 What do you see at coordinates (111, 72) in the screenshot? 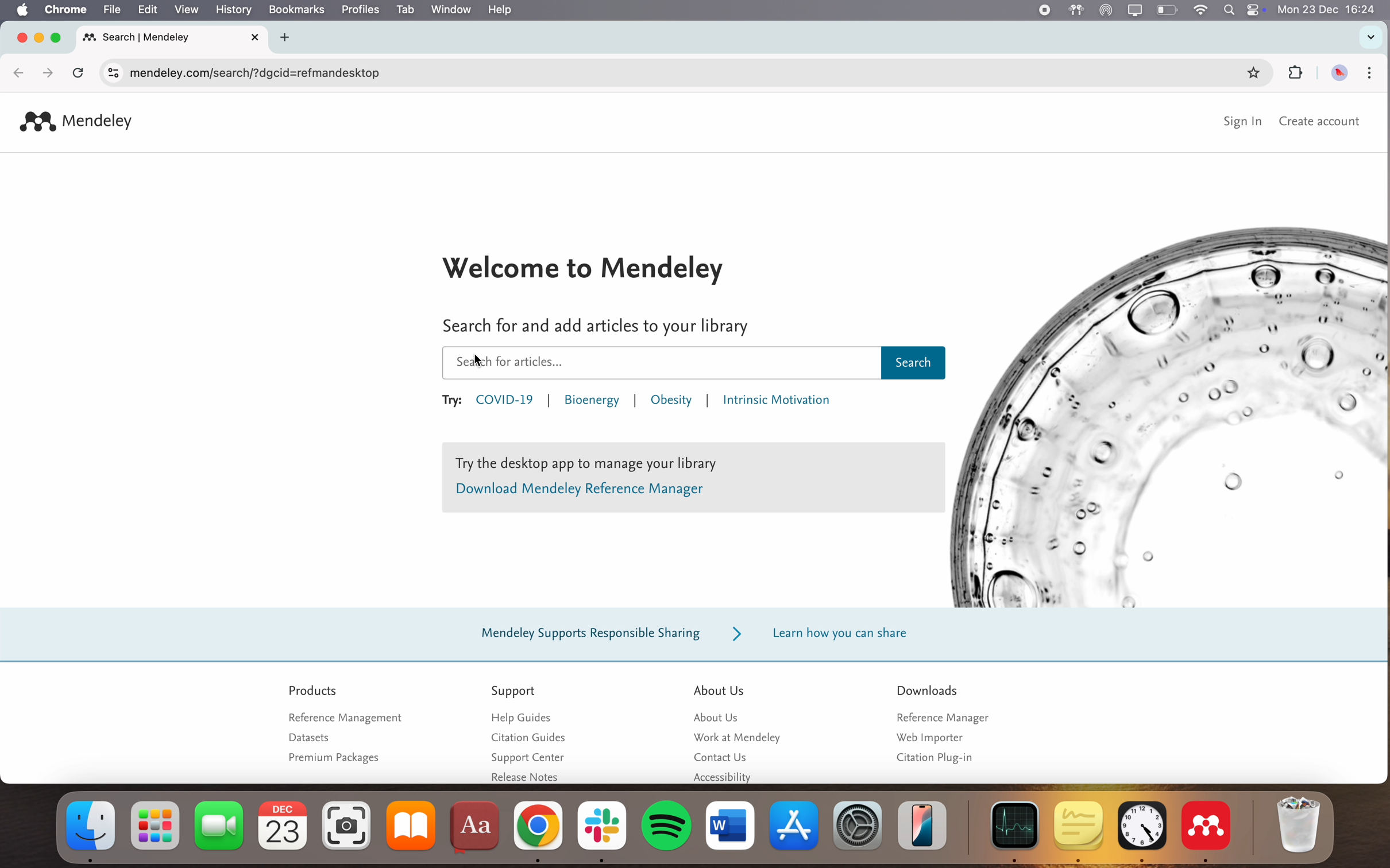
I see `controls` at bounding box center [111, 72].